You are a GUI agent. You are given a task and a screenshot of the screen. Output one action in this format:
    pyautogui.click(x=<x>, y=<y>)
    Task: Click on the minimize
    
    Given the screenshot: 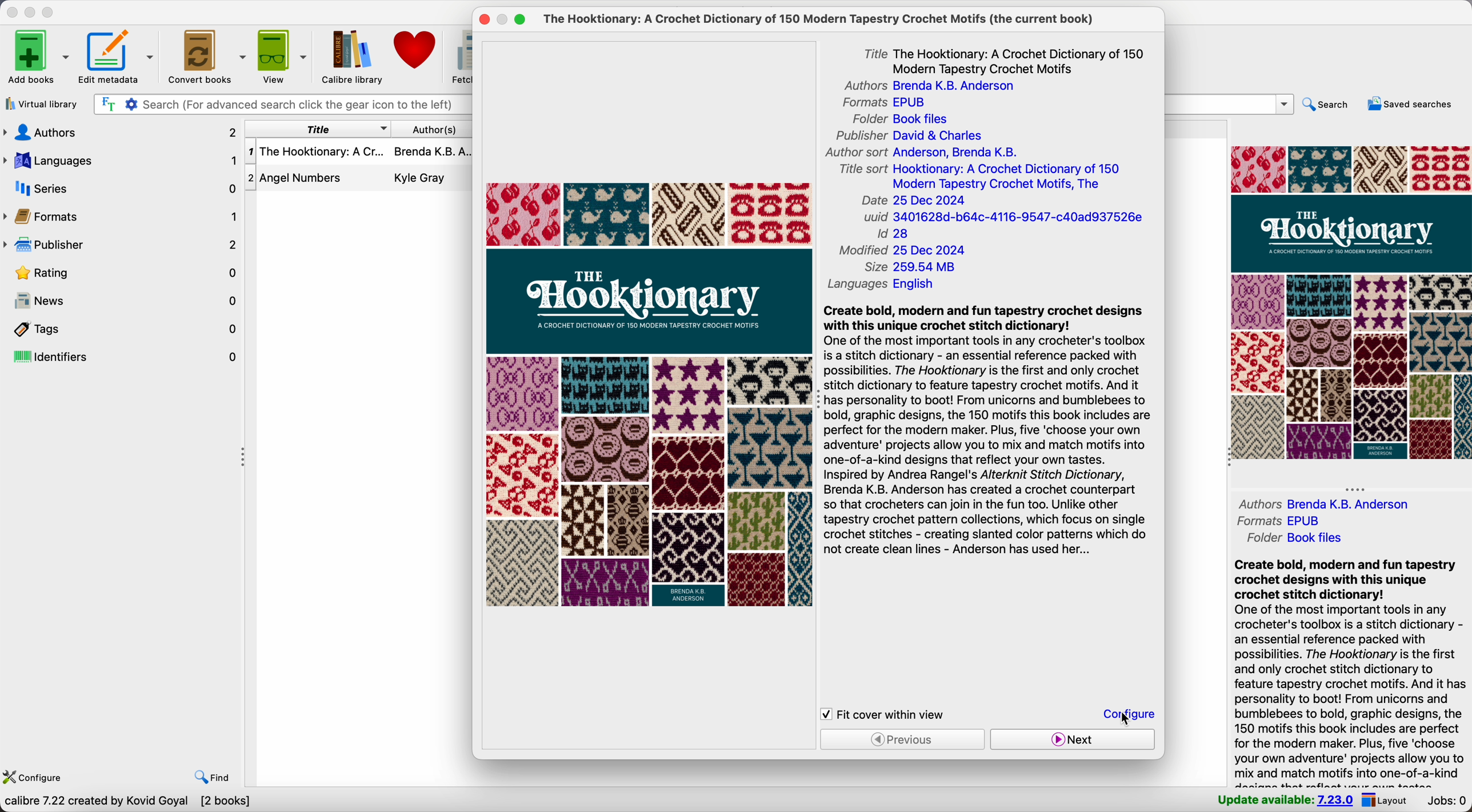 What is the action you would take?
    pyautogui.click(x=33, y=11)
    